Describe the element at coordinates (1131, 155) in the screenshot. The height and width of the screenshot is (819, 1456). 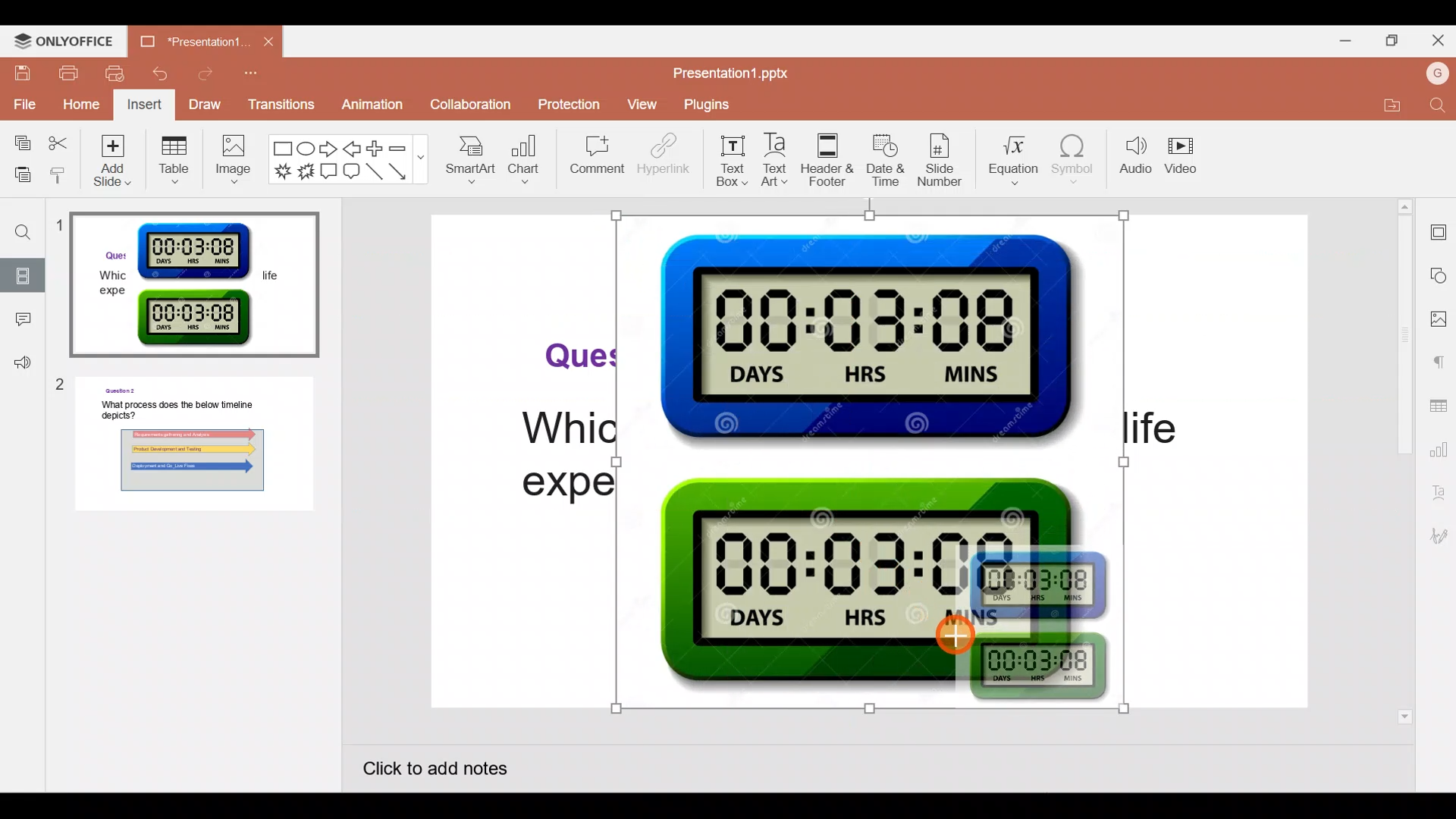
I see `Audio` at that location.